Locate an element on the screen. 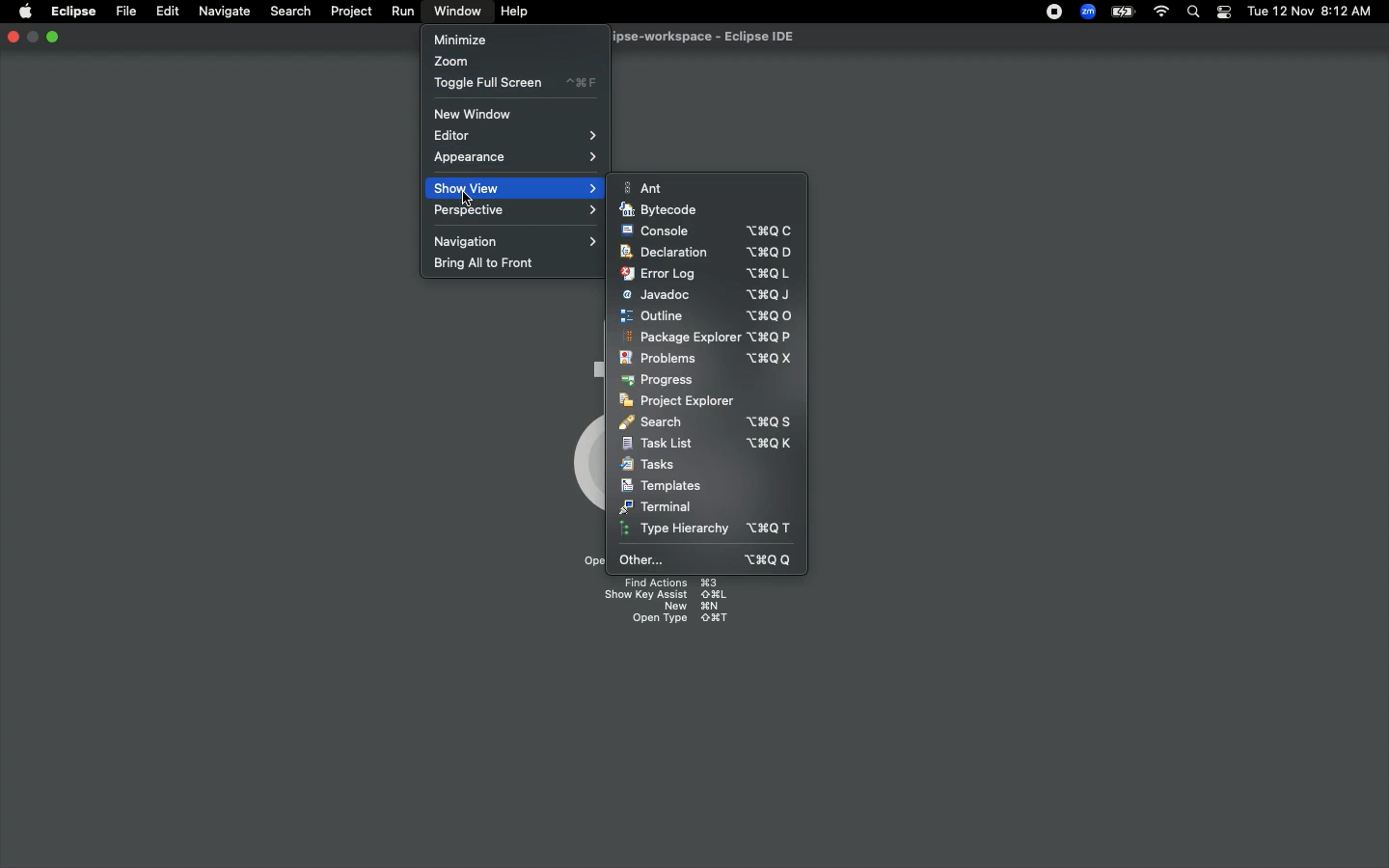 The height and width of the screenshot is (868, 1389). Minimize is located at coordinates (33, 38).